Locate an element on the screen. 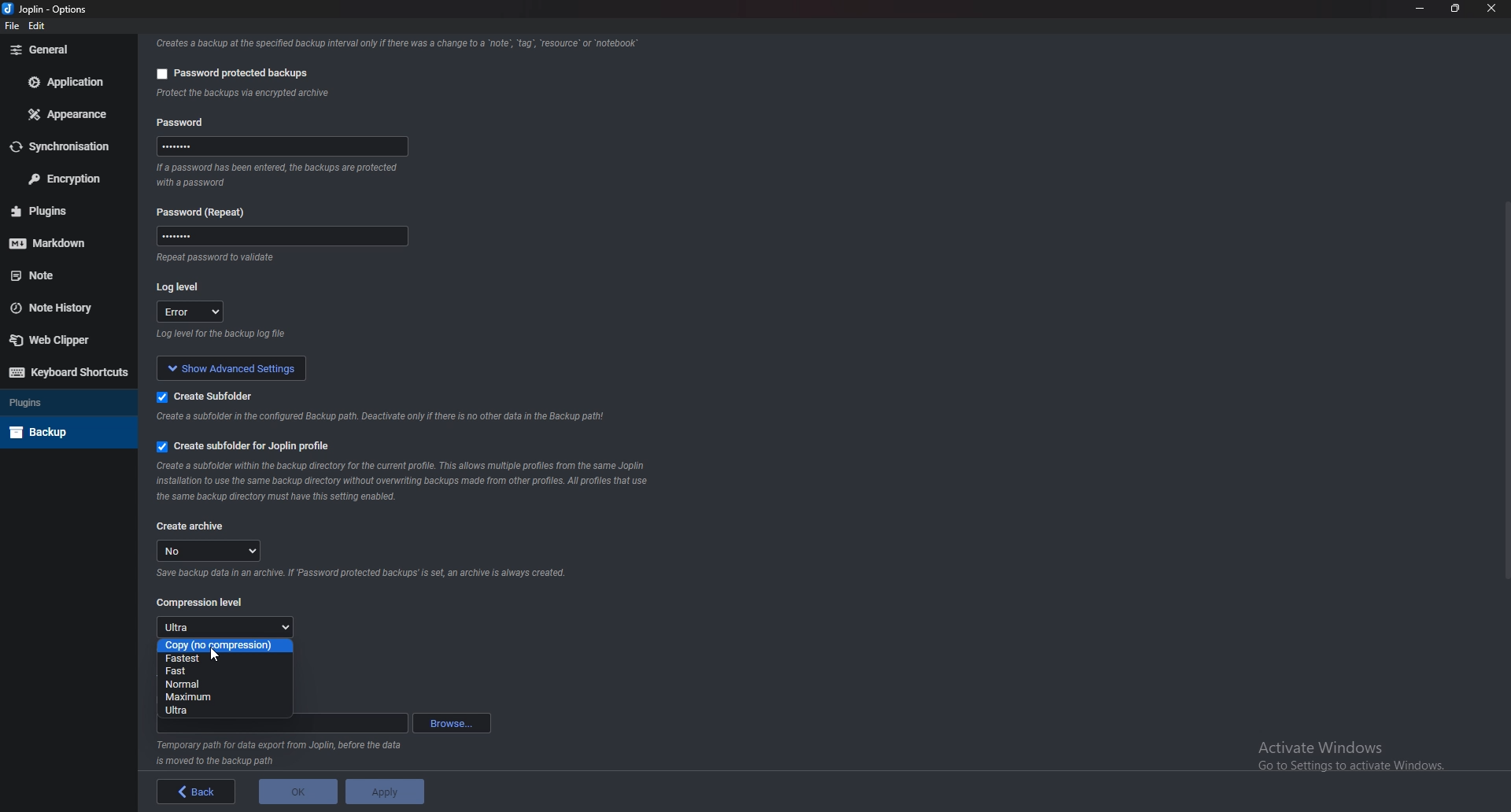  password (repeat) is located at coordinates (207, 212).